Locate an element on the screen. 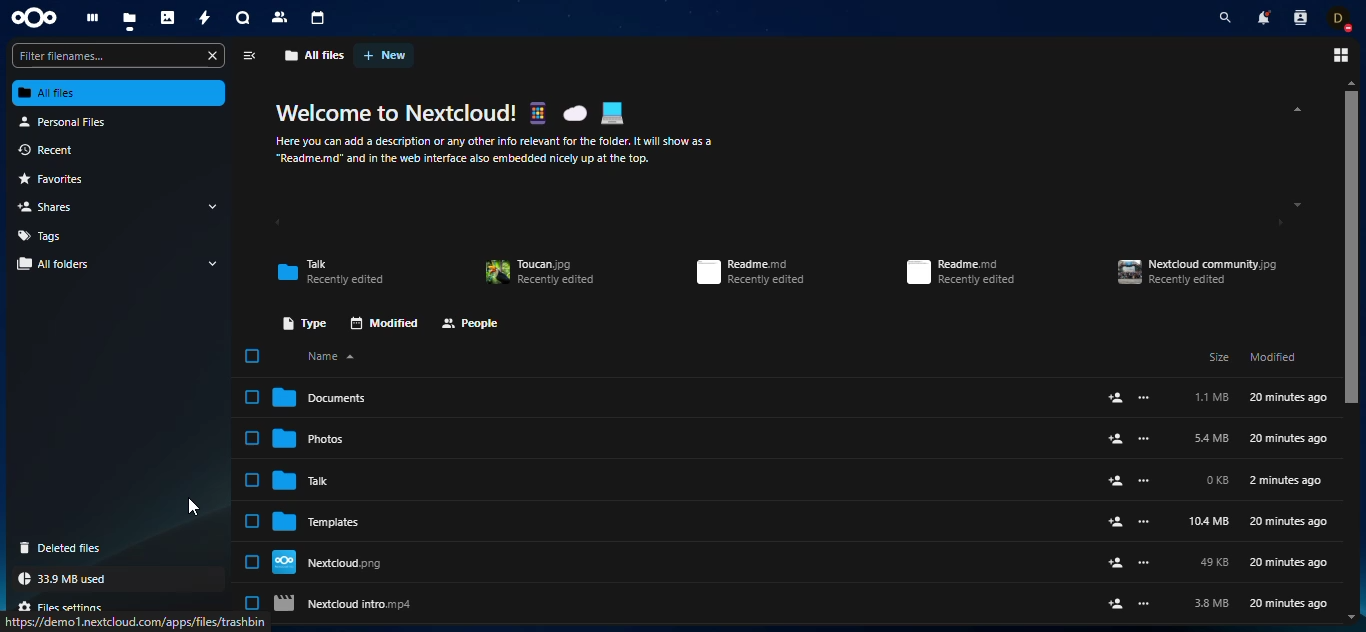  Contacts is located at coordinates (281, 16).